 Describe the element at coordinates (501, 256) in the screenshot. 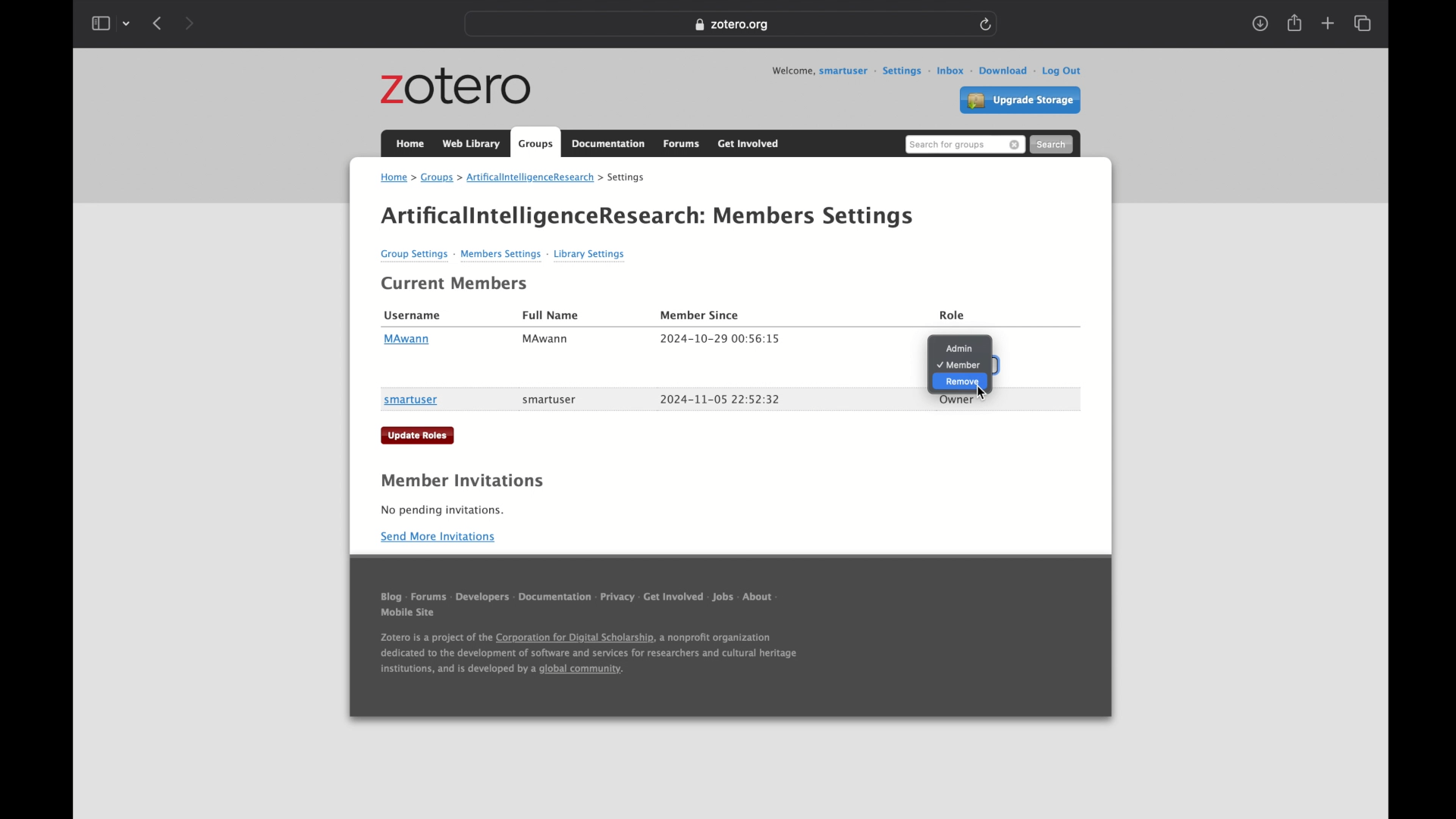

I see `members settings` at that location.